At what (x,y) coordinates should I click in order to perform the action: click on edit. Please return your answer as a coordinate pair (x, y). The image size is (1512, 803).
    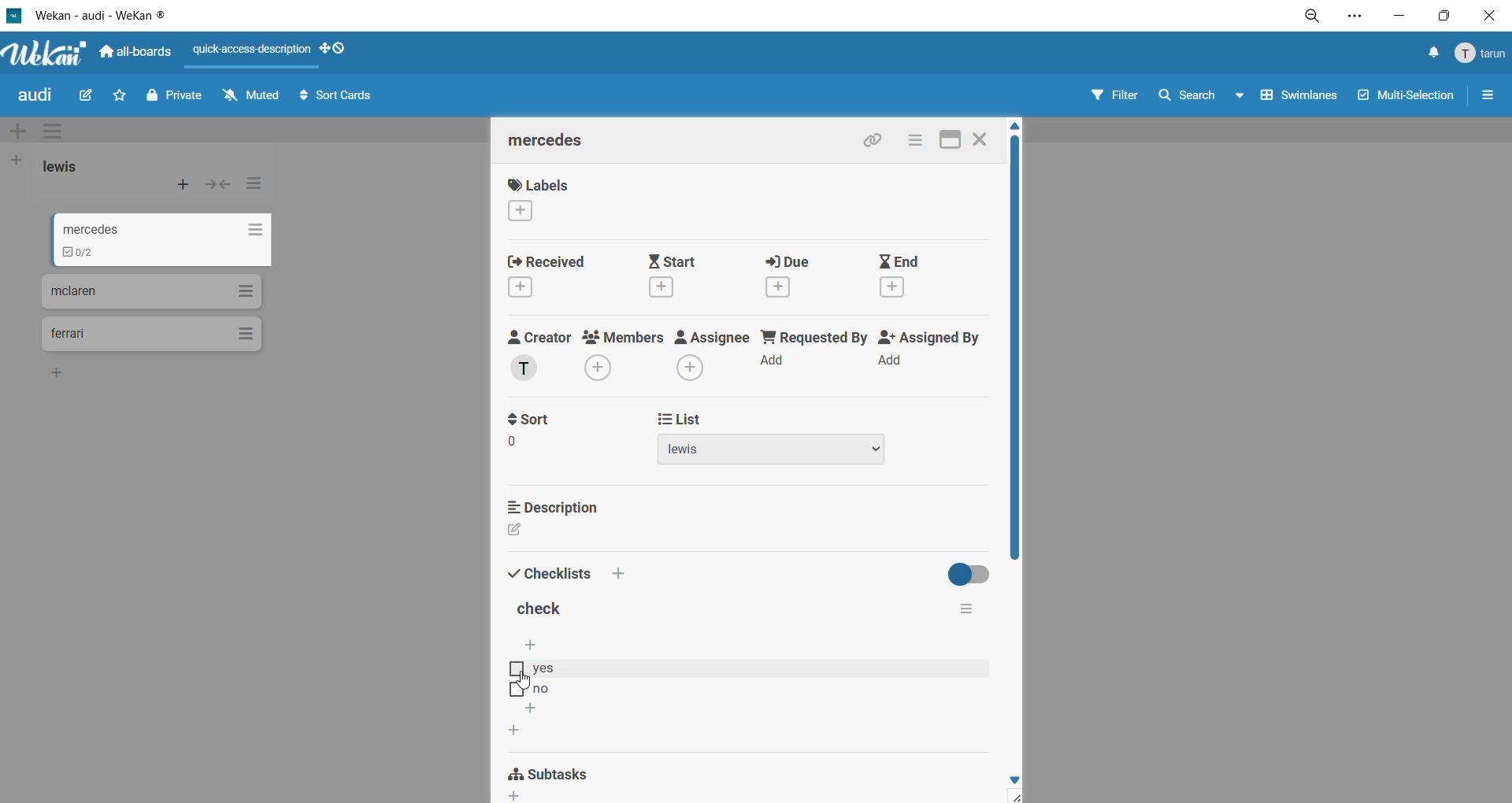
    Looking at the image, I should click on (90, 99).